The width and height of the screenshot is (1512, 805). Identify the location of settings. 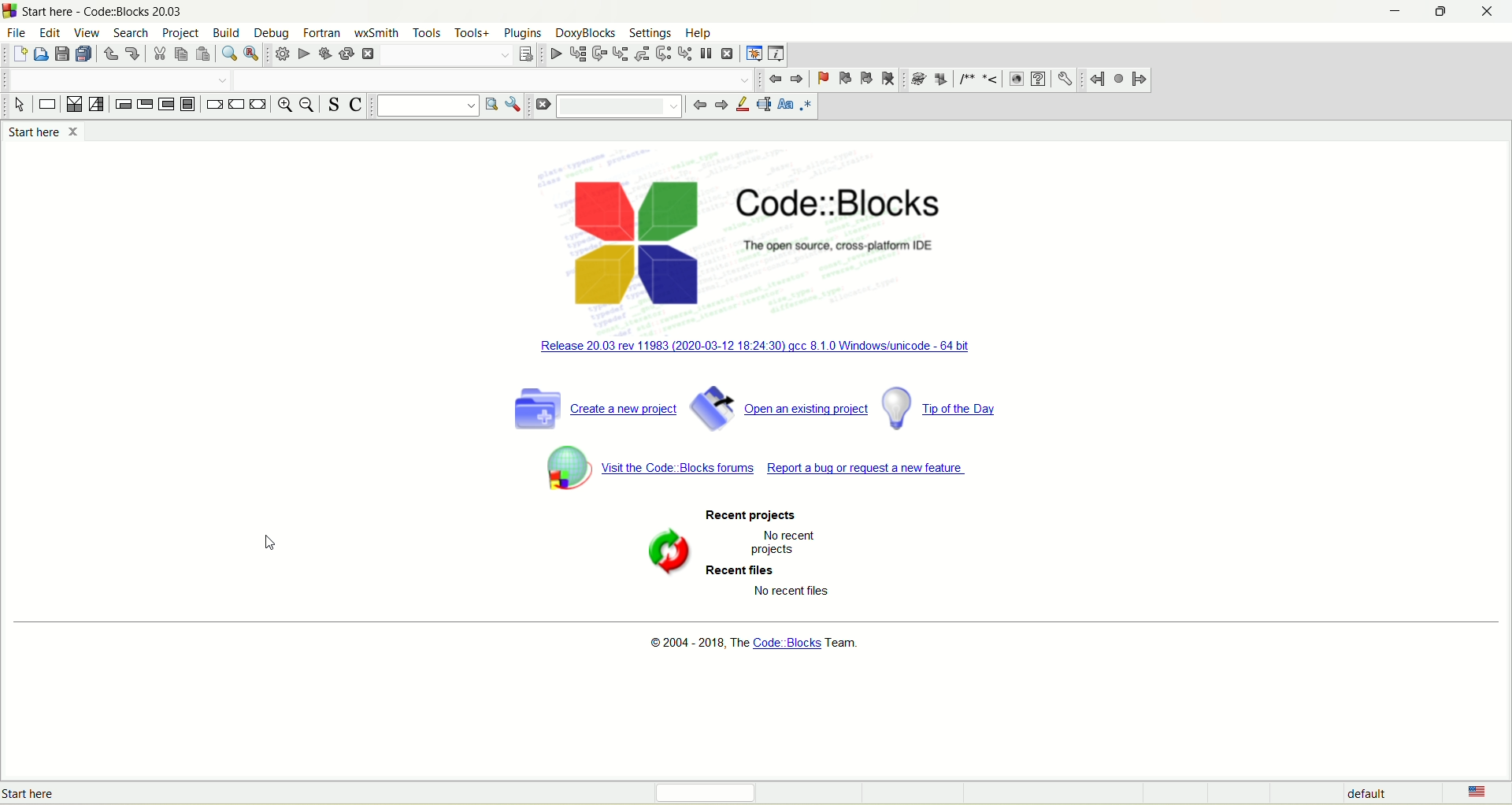
(1067, 78).